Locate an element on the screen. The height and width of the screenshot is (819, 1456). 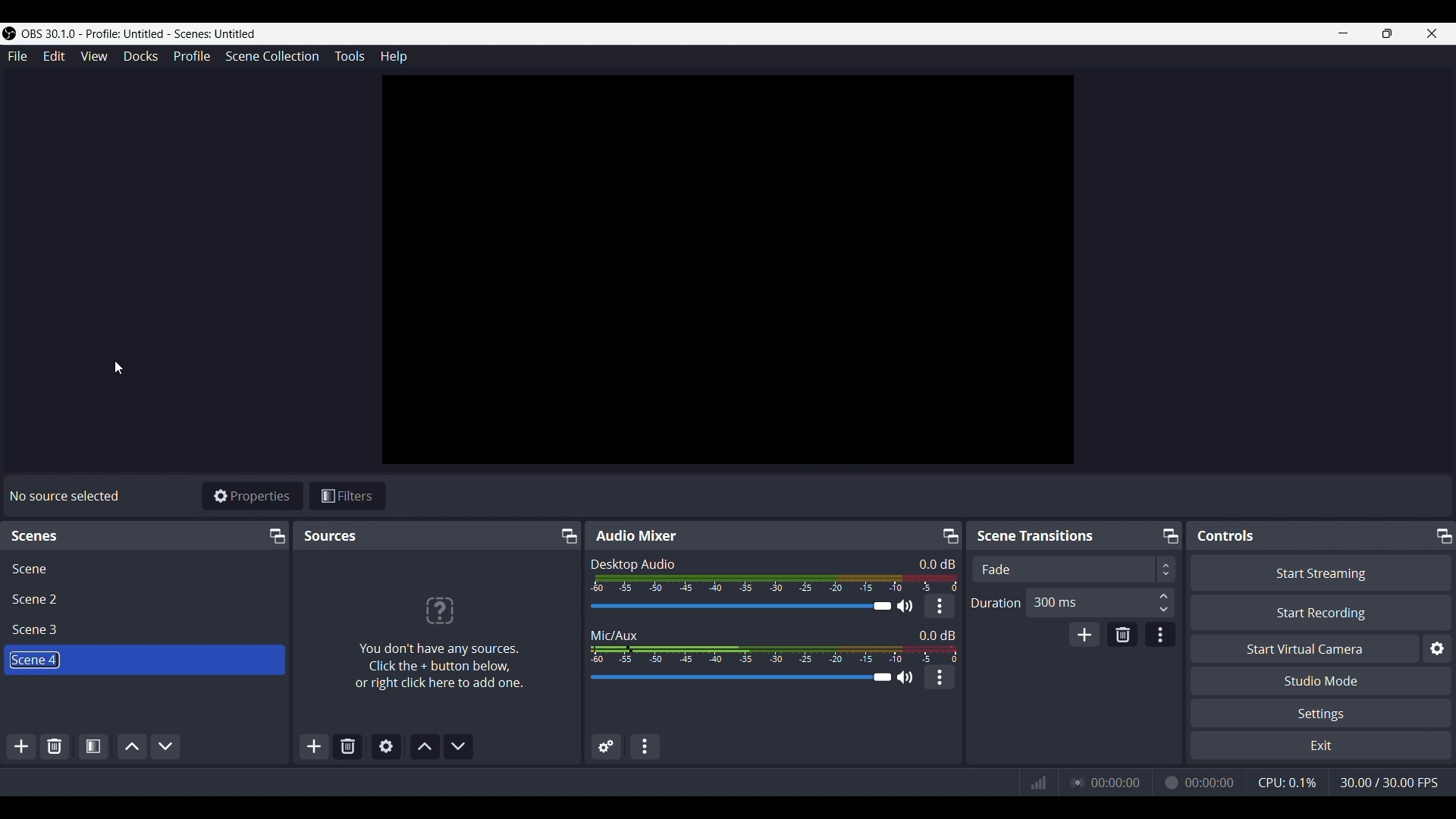
Audio Level Indicator is located at coordinates (937, 634).